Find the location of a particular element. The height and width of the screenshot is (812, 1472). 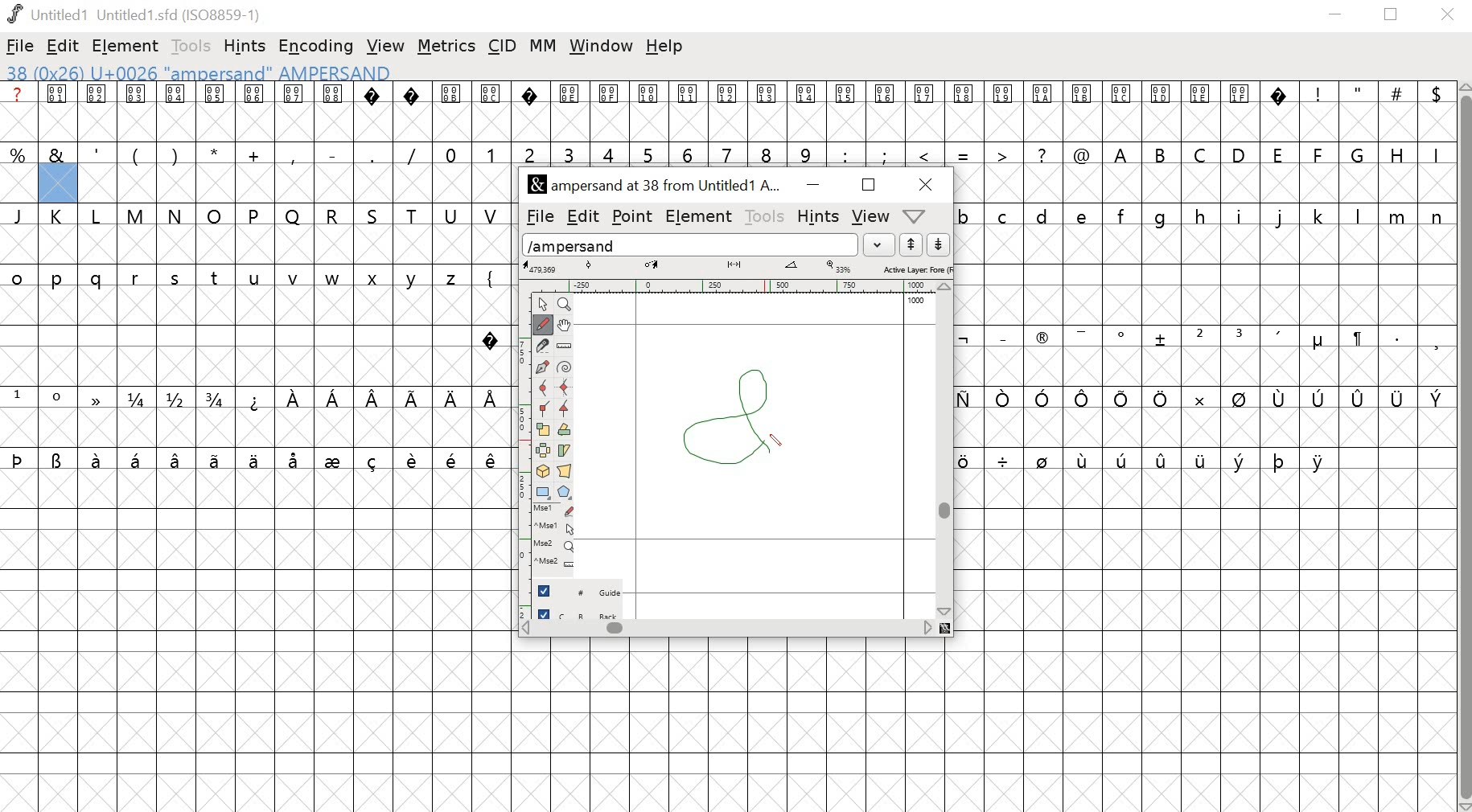

cid is located at coordinates (504, 45).